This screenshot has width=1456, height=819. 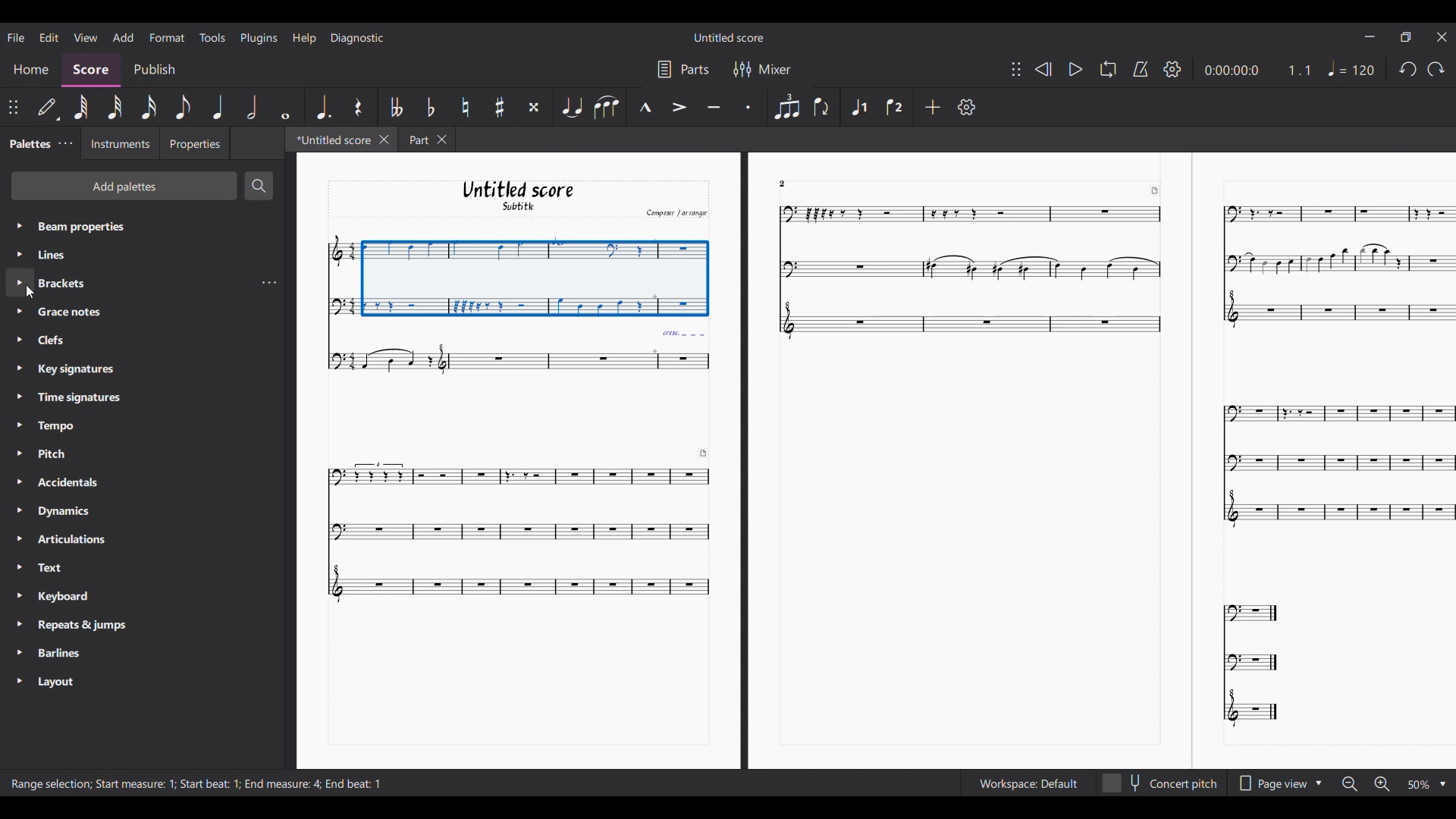 I want to click on Zoom in, so click(x=1381, y=784).